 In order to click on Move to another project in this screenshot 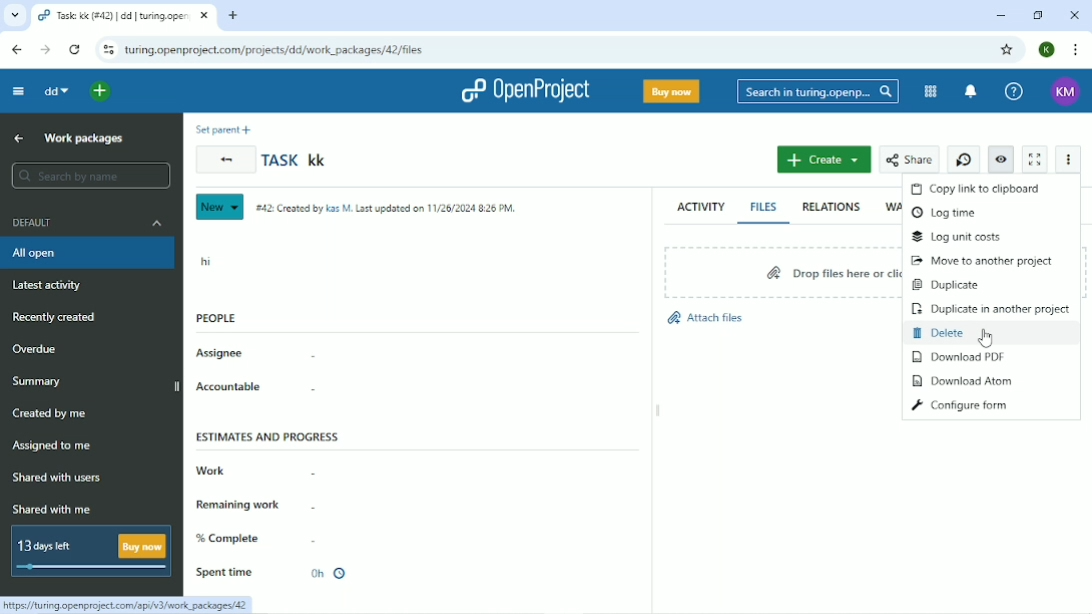, I will do `click(984, 262)`.